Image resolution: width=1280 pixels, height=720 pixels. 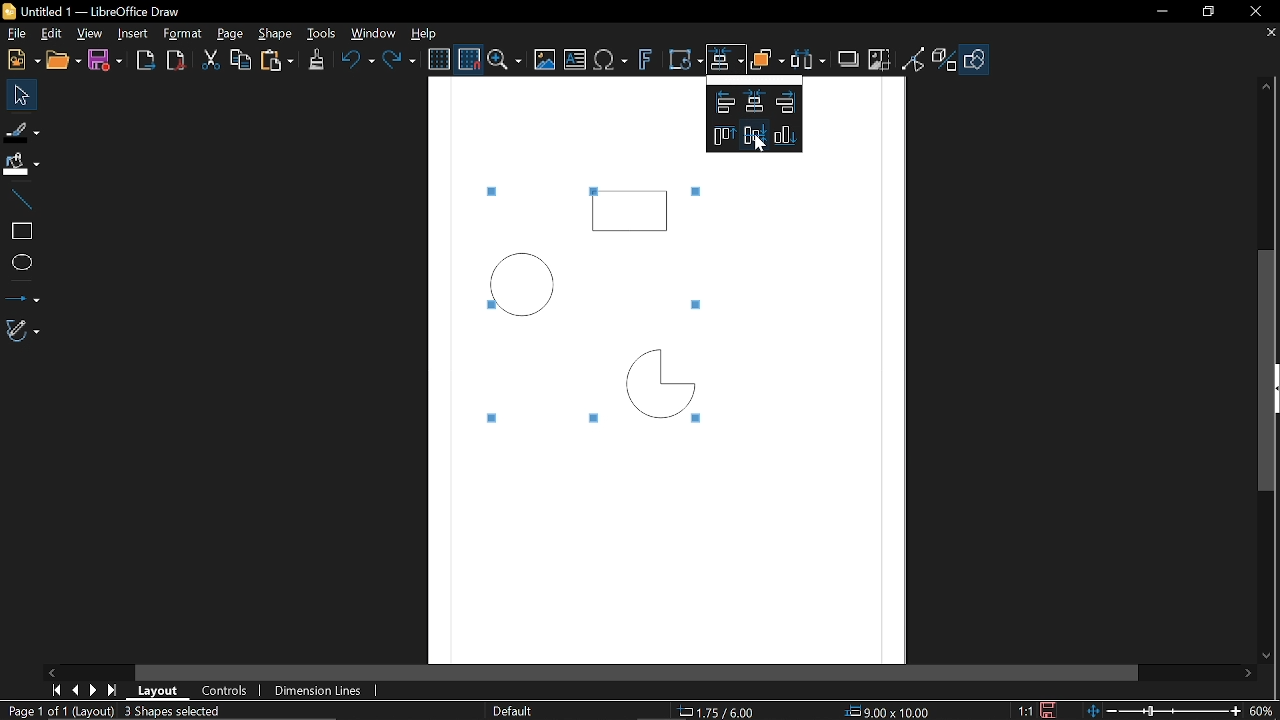 What do you see at coordinates (525, 283) in the screenshot?
I see `Circle` at bounding box center [525, 283].